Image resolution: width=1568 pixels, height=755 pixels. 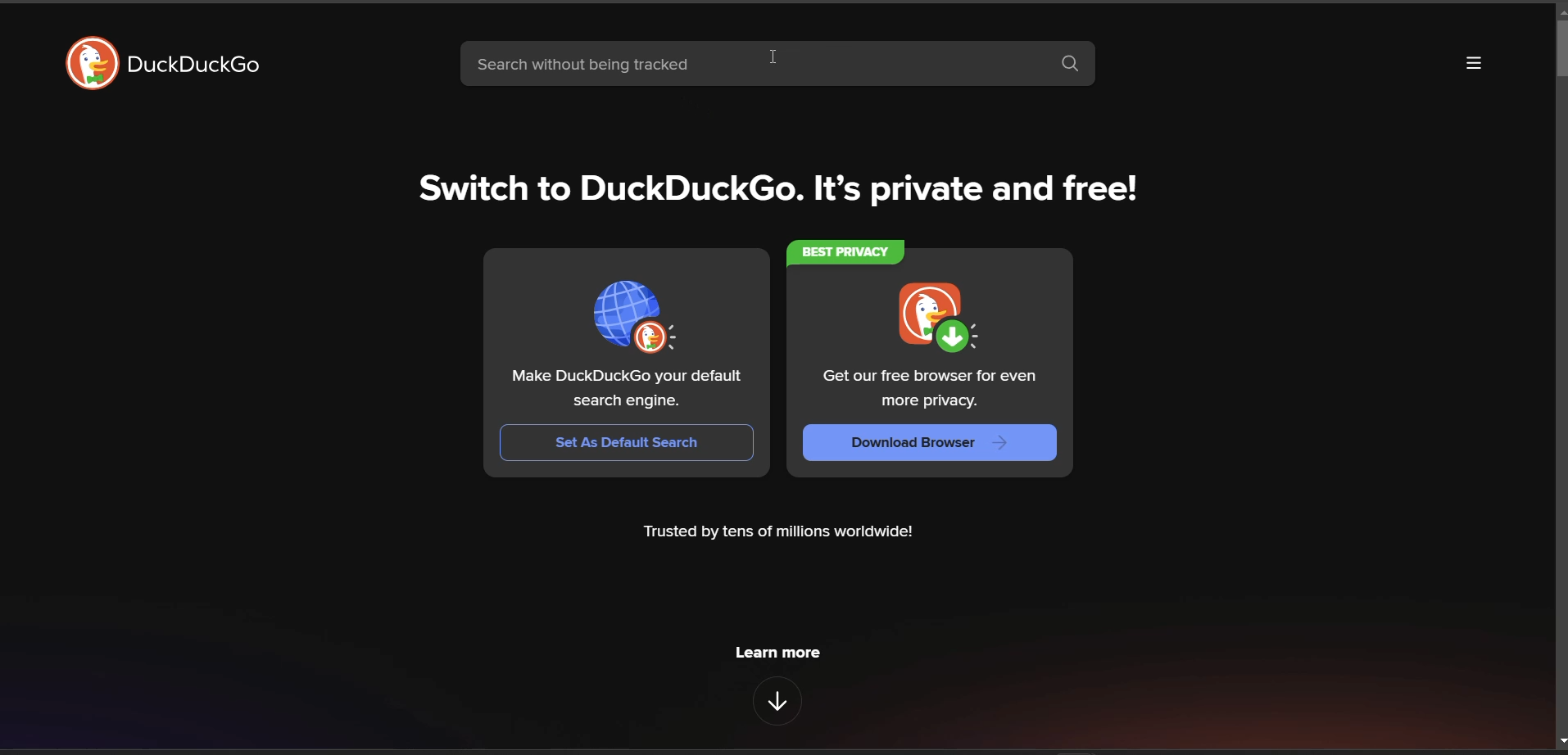 I want to click on cursor, so click(x=782, y=61).